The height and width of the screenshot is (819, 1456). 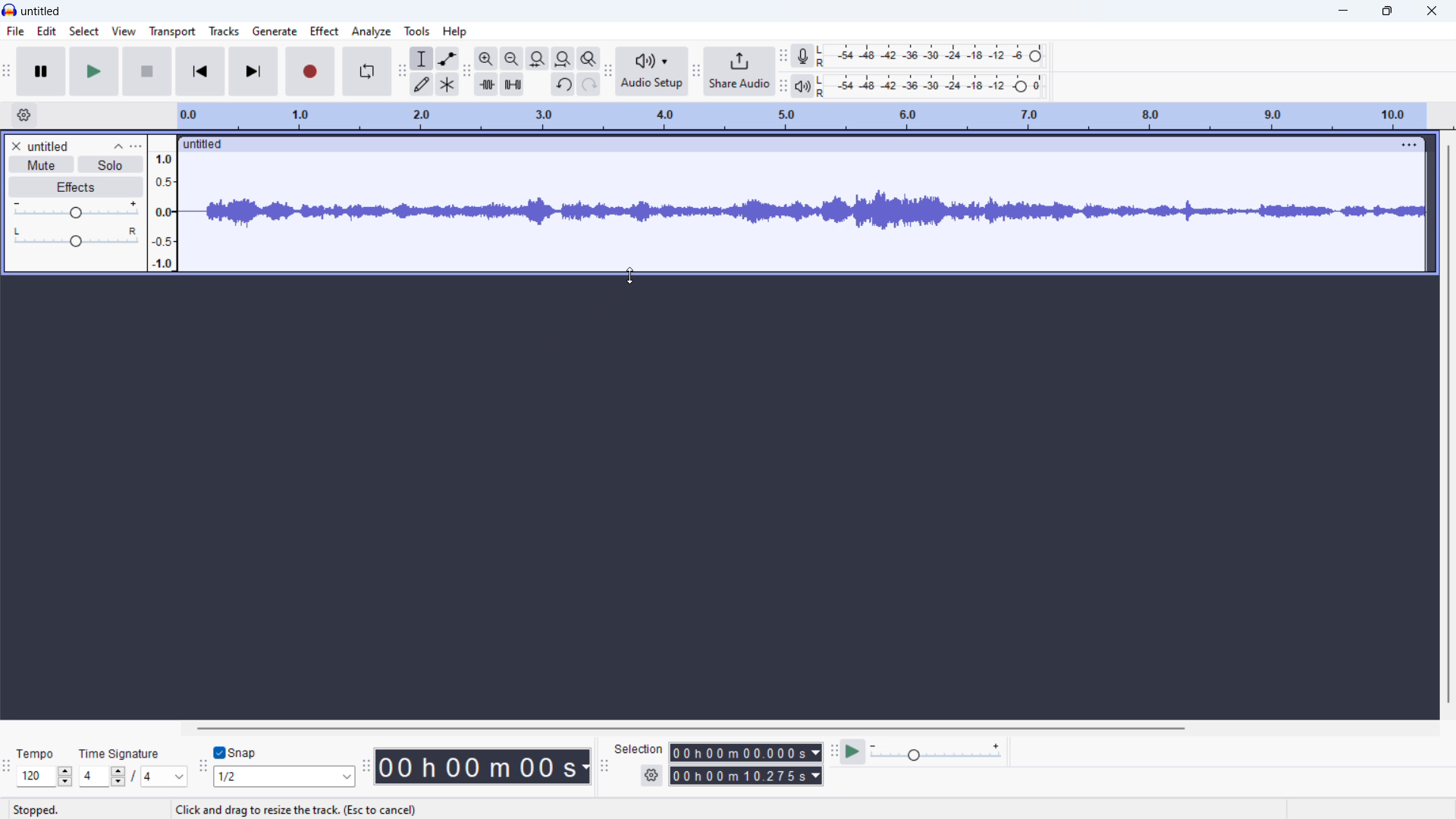 What do you see at coordinates (83, 30) in the screenshot?
I see `select` at bounding box center [83, 30].